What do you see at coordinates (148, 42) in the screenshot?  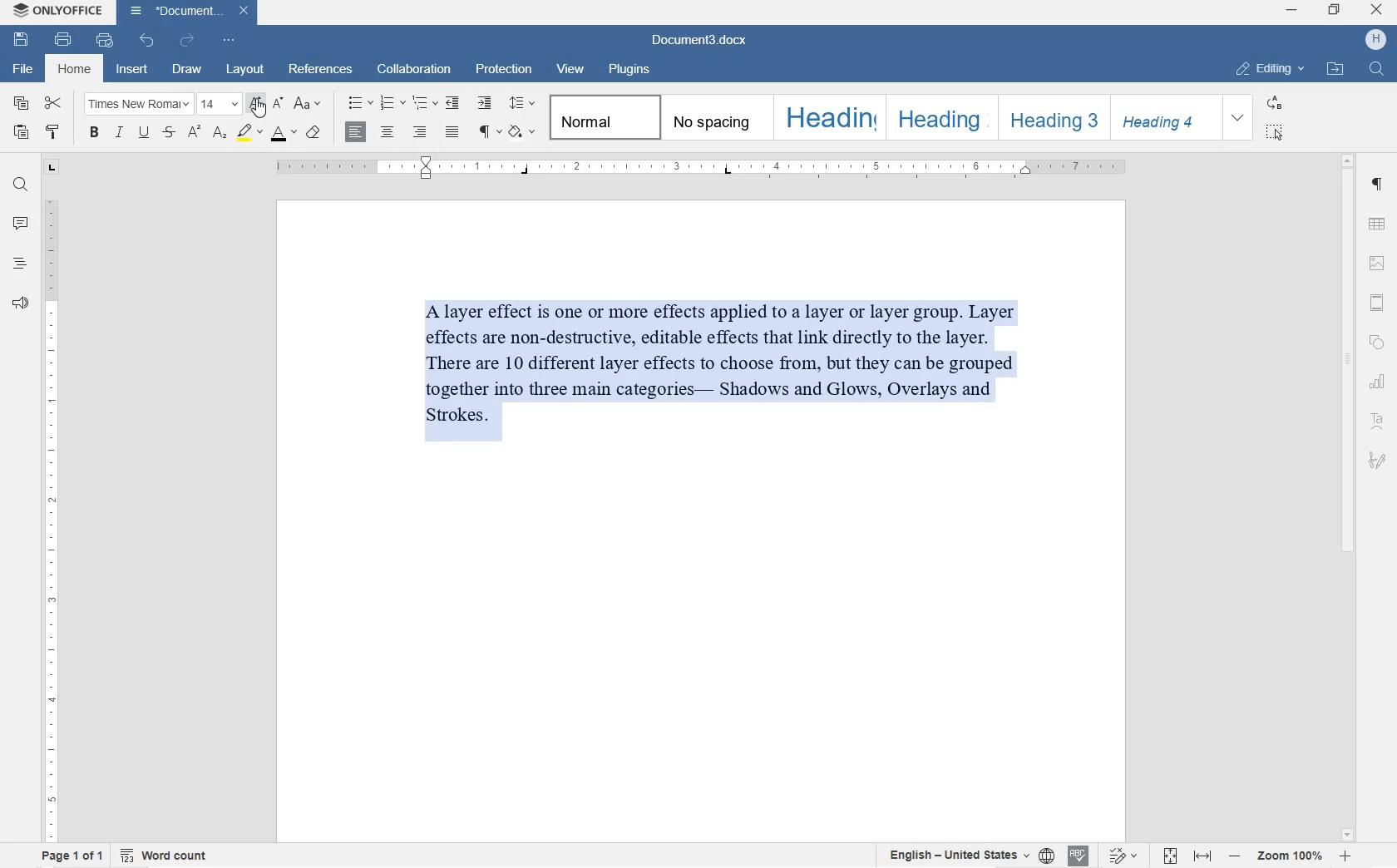 I see `undo` at bounding box center [148, 42].